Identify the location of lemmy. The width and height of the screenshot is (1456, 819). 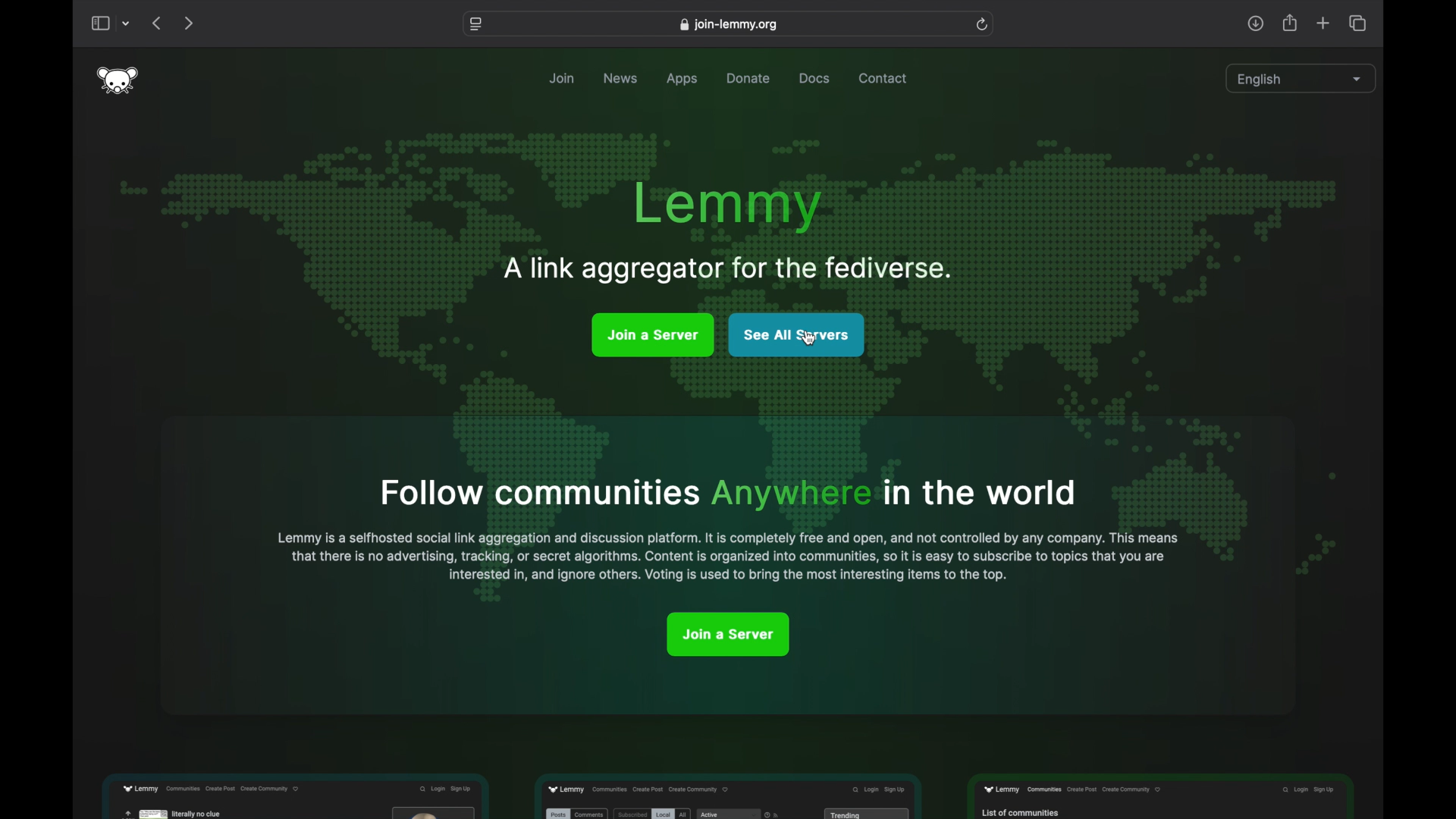
(727, 207).